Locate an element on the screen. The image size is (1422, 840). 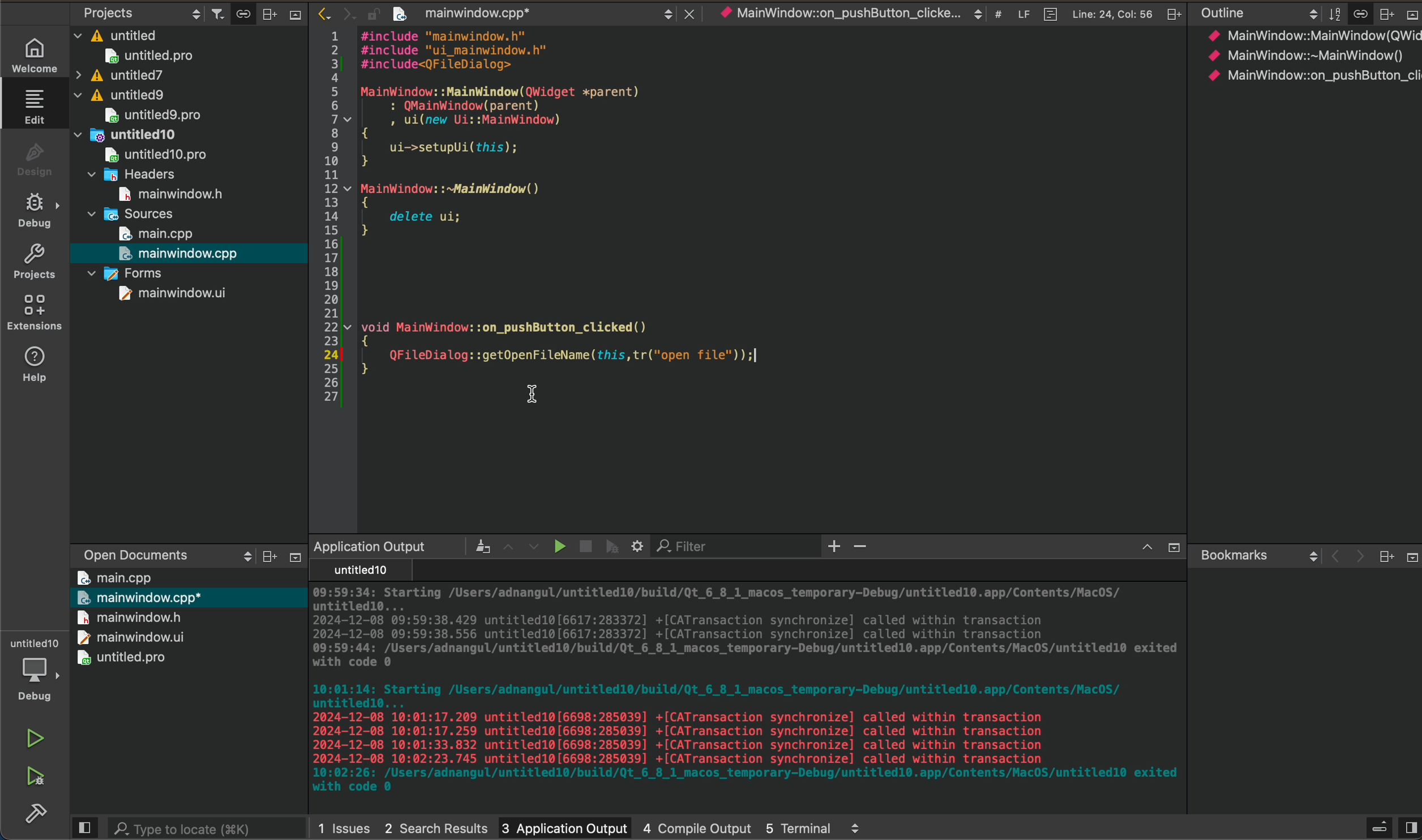
 is located at coordinates (293, 18).